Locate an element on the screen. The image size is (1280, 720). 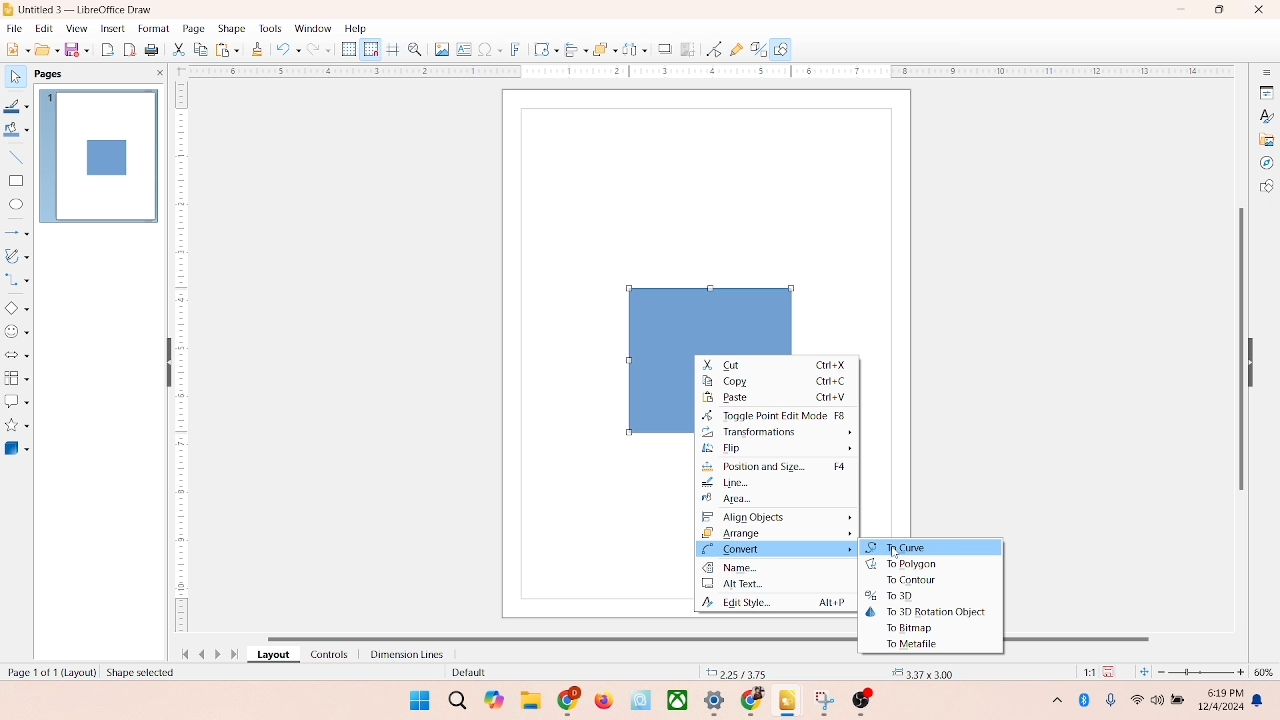
export directly as PDF is located at coordinates (131, 49).